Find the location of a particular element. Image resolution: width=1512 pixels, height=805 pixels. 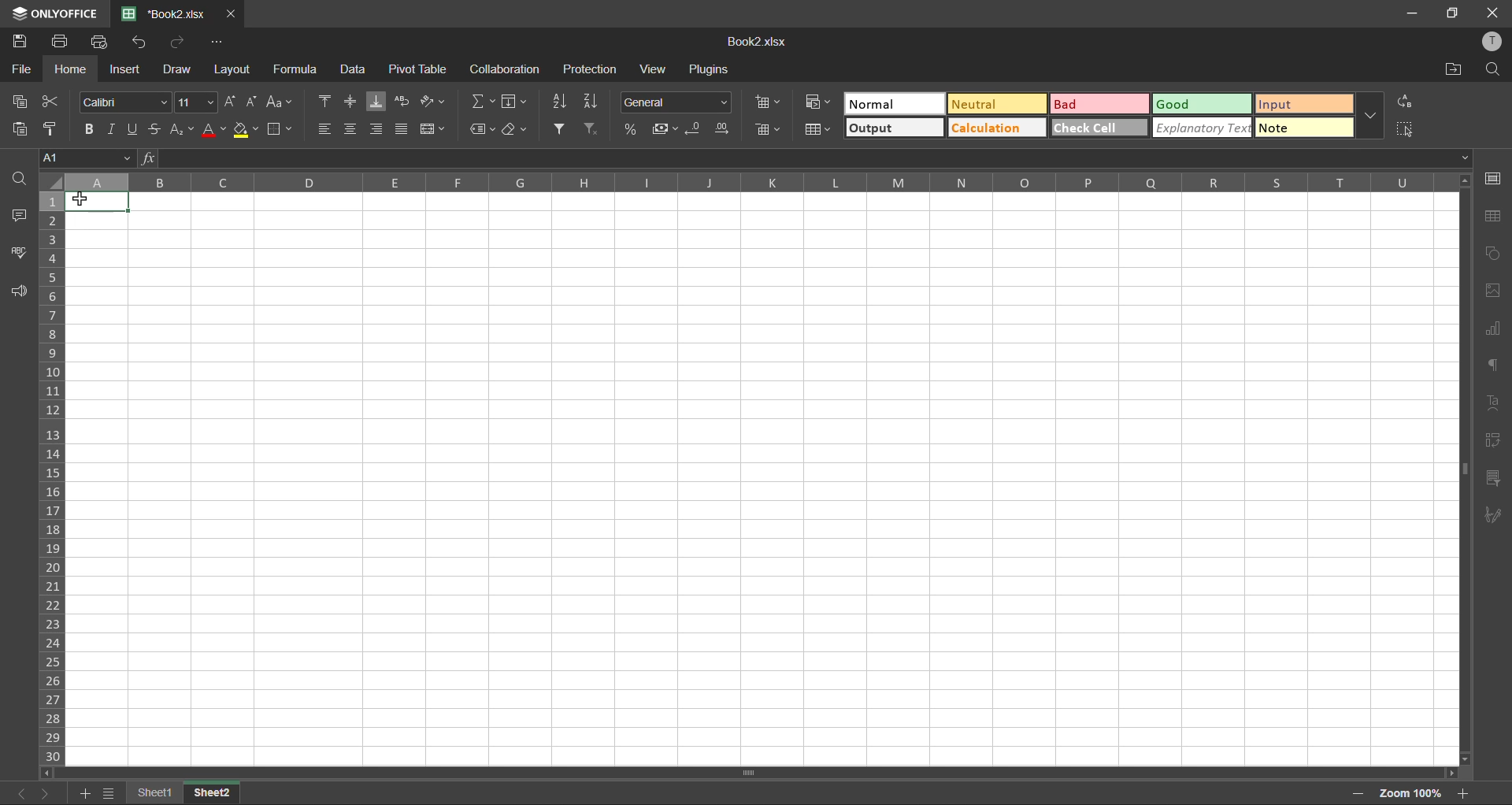

output is located at coordinates (892, 128).